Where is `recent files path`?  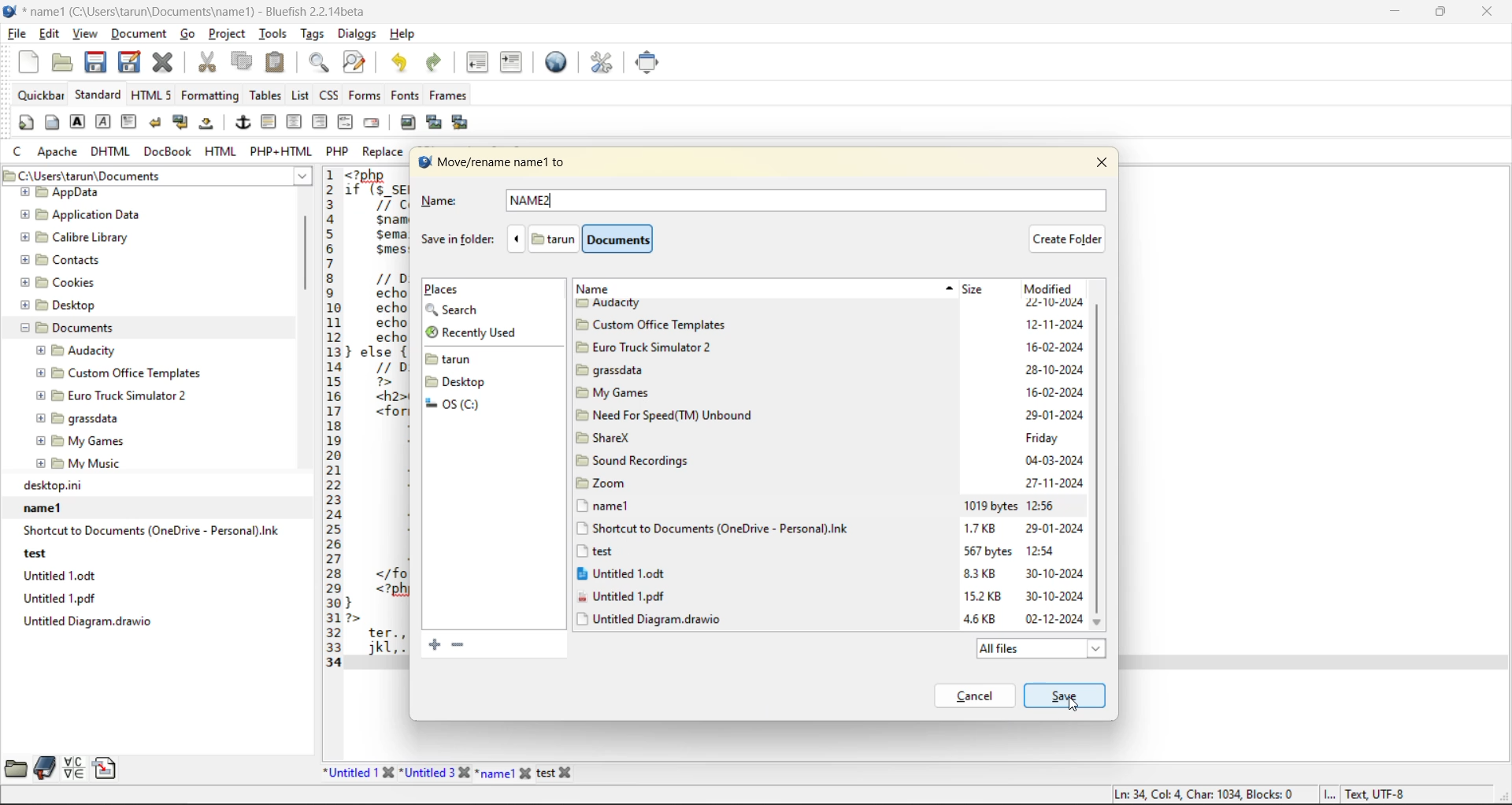
recent files path is located at coordinates (149, 555).